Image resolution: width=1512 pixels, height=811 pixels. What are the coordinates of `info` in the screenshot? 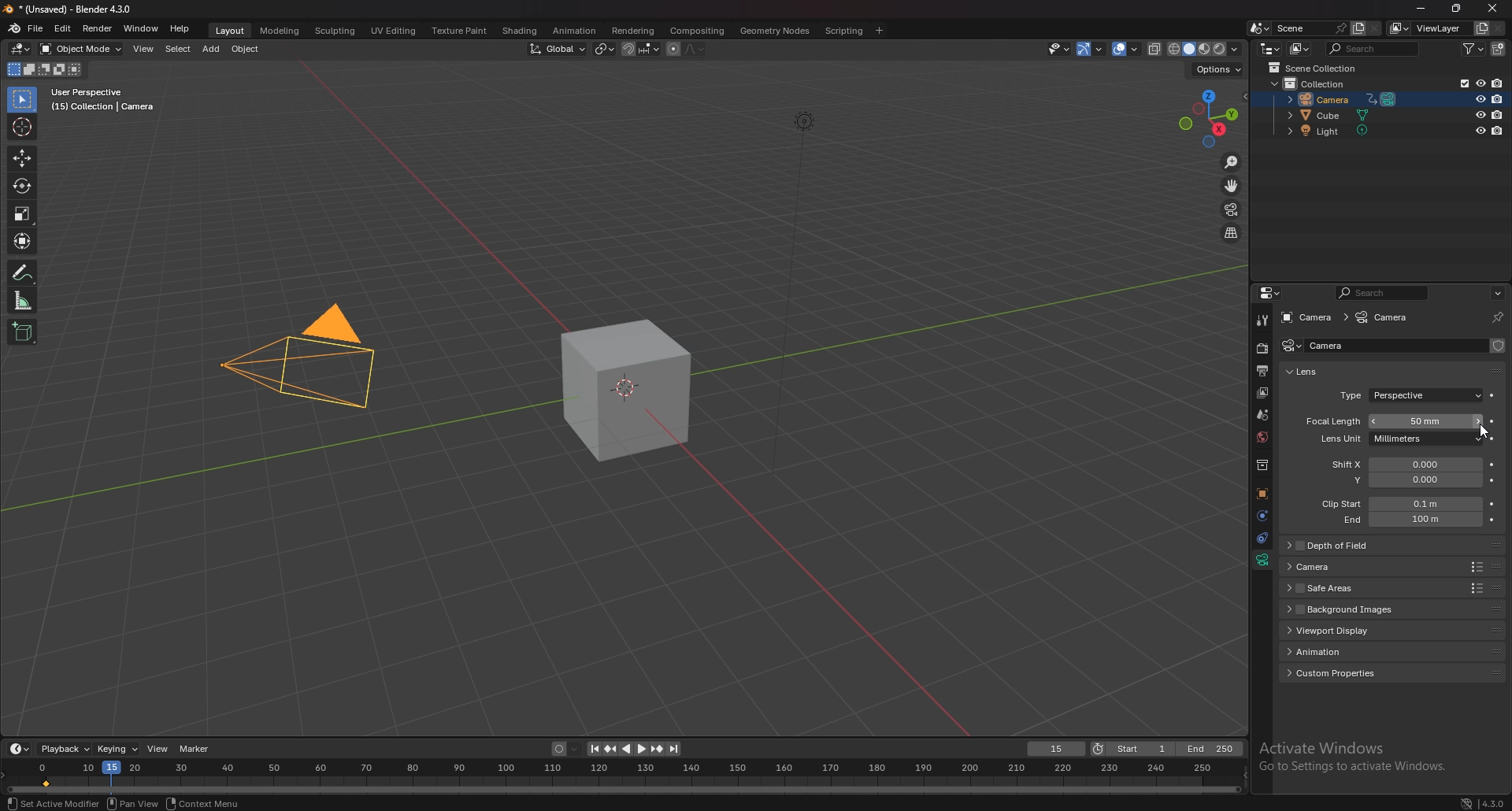 It's located at (103, 100).